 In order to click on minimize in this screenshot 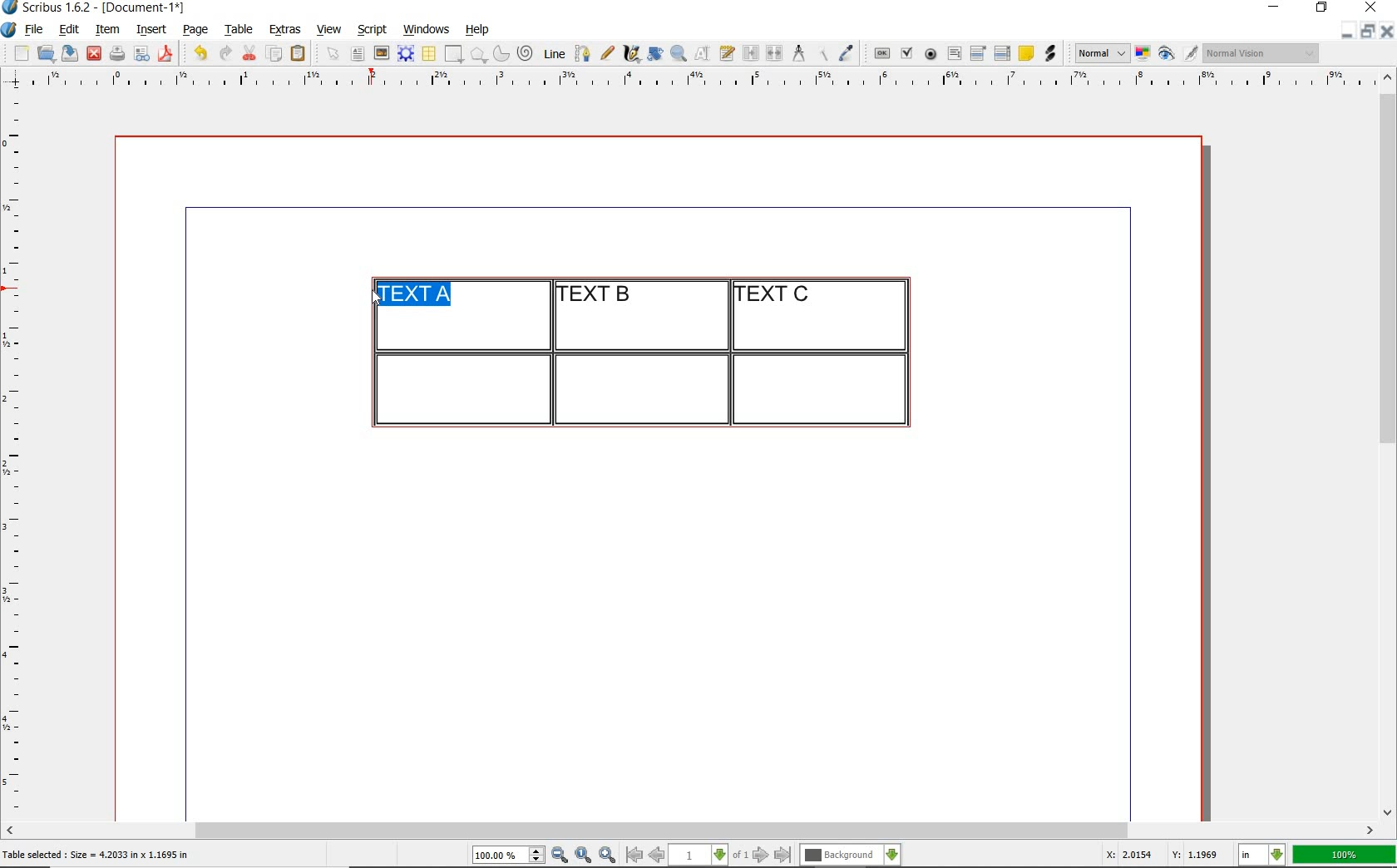, I will do `click(1276, 8)`.